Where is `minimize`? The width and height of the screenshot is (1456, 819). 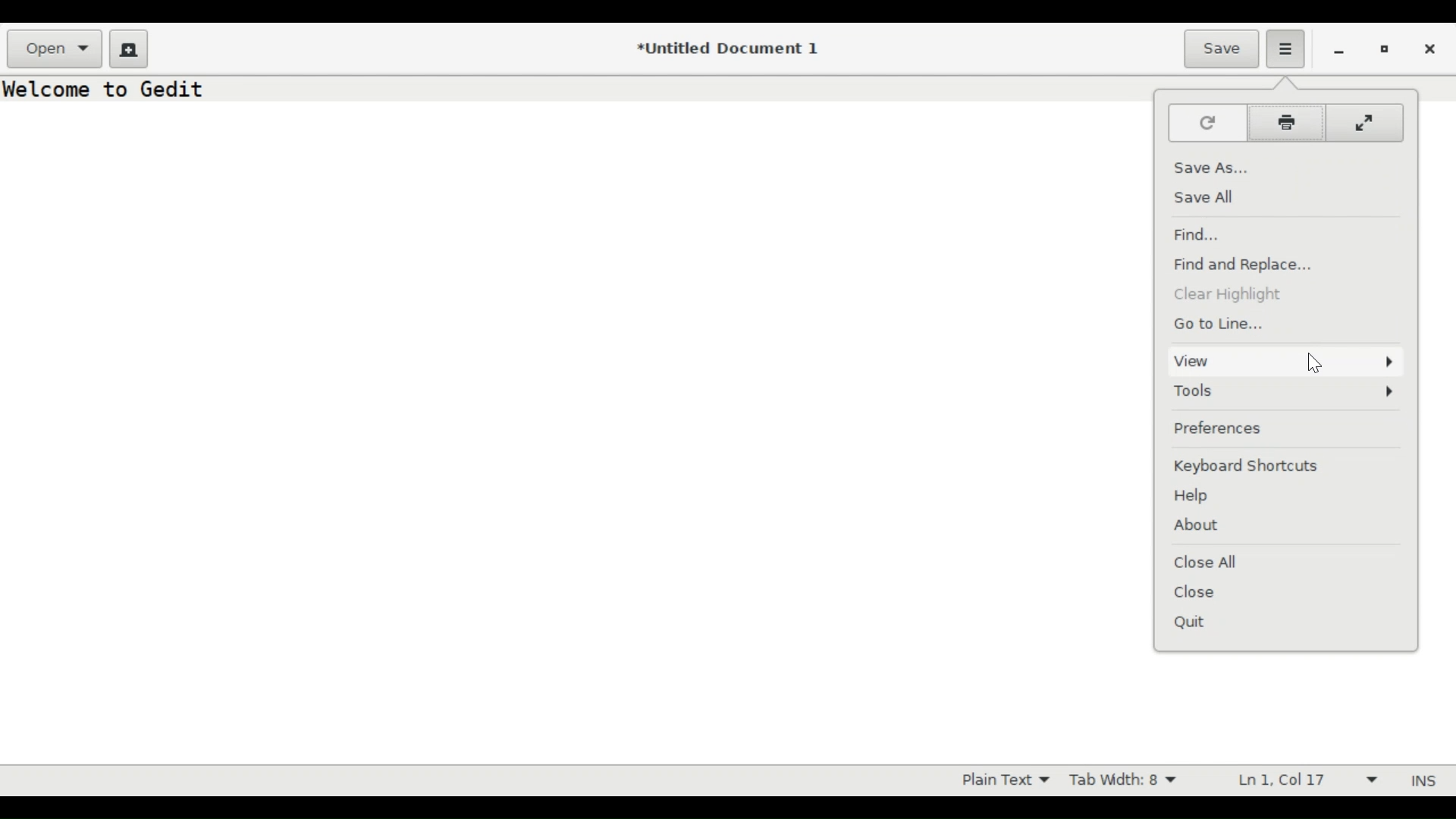
minimize is located at coordinates (1339, 49).